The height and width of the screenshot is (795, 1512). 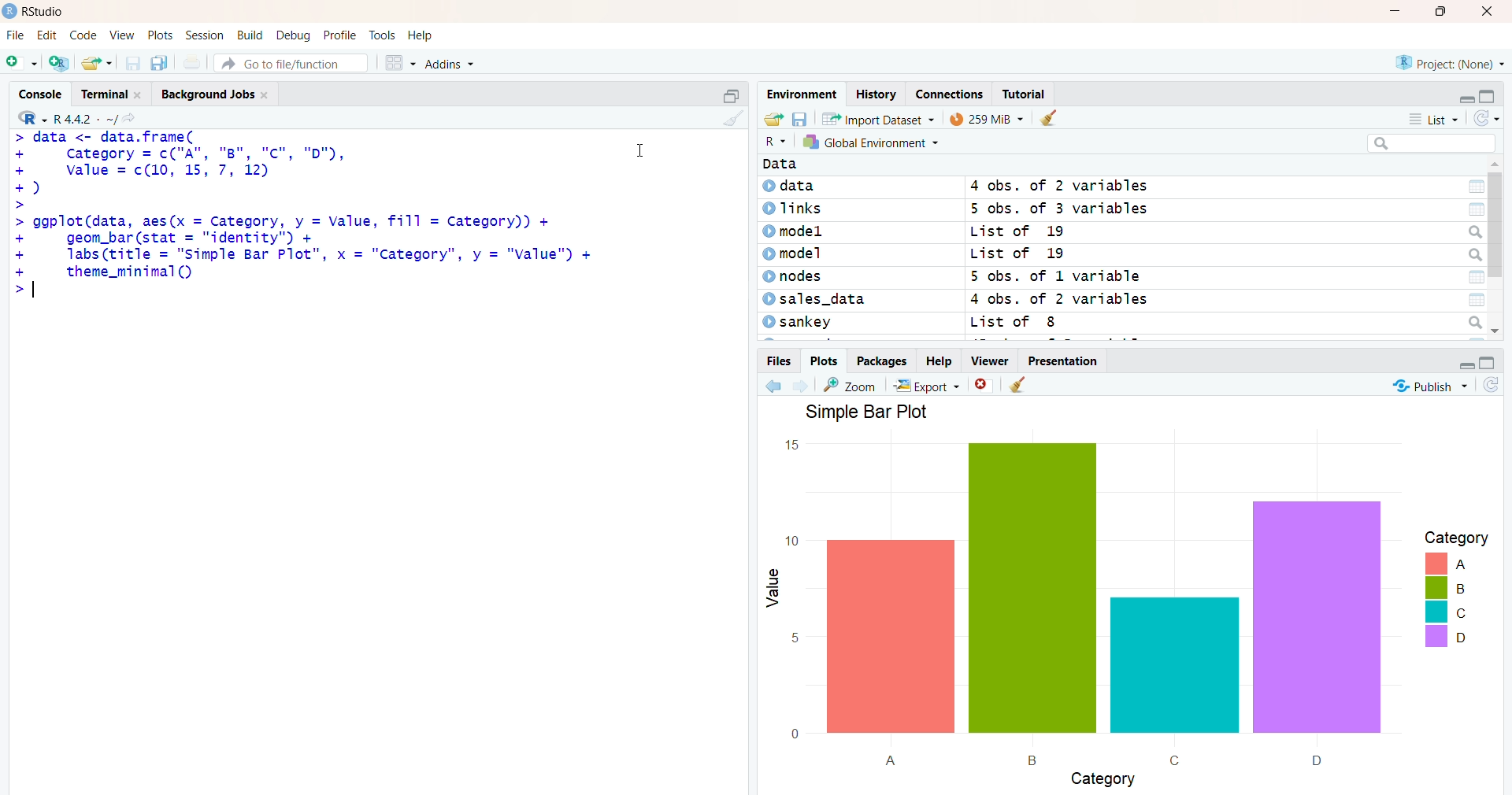 I want to click on save workspace as, so click(x=800, y=119).